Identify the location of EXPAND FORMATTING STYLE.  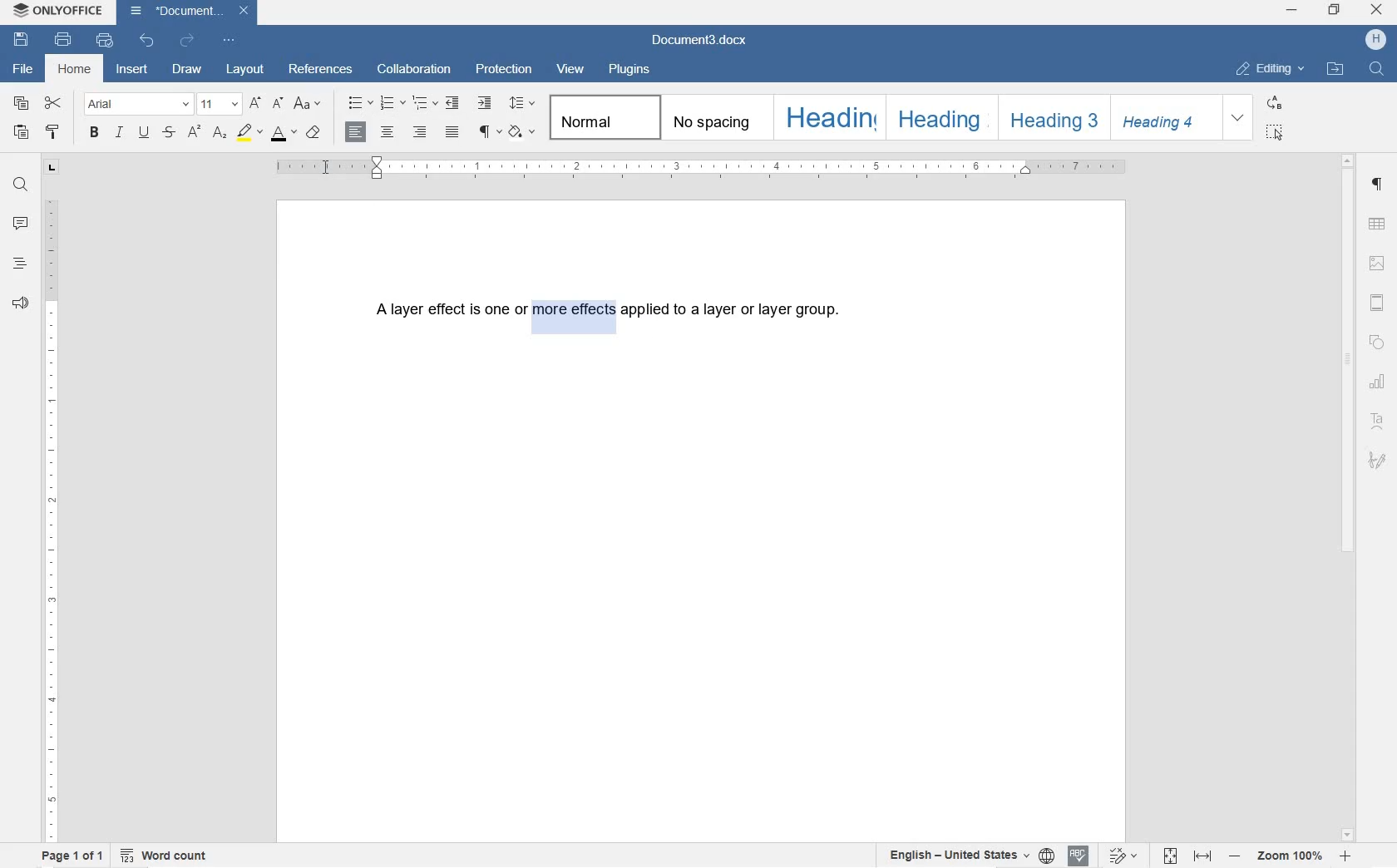
(1241, 118).